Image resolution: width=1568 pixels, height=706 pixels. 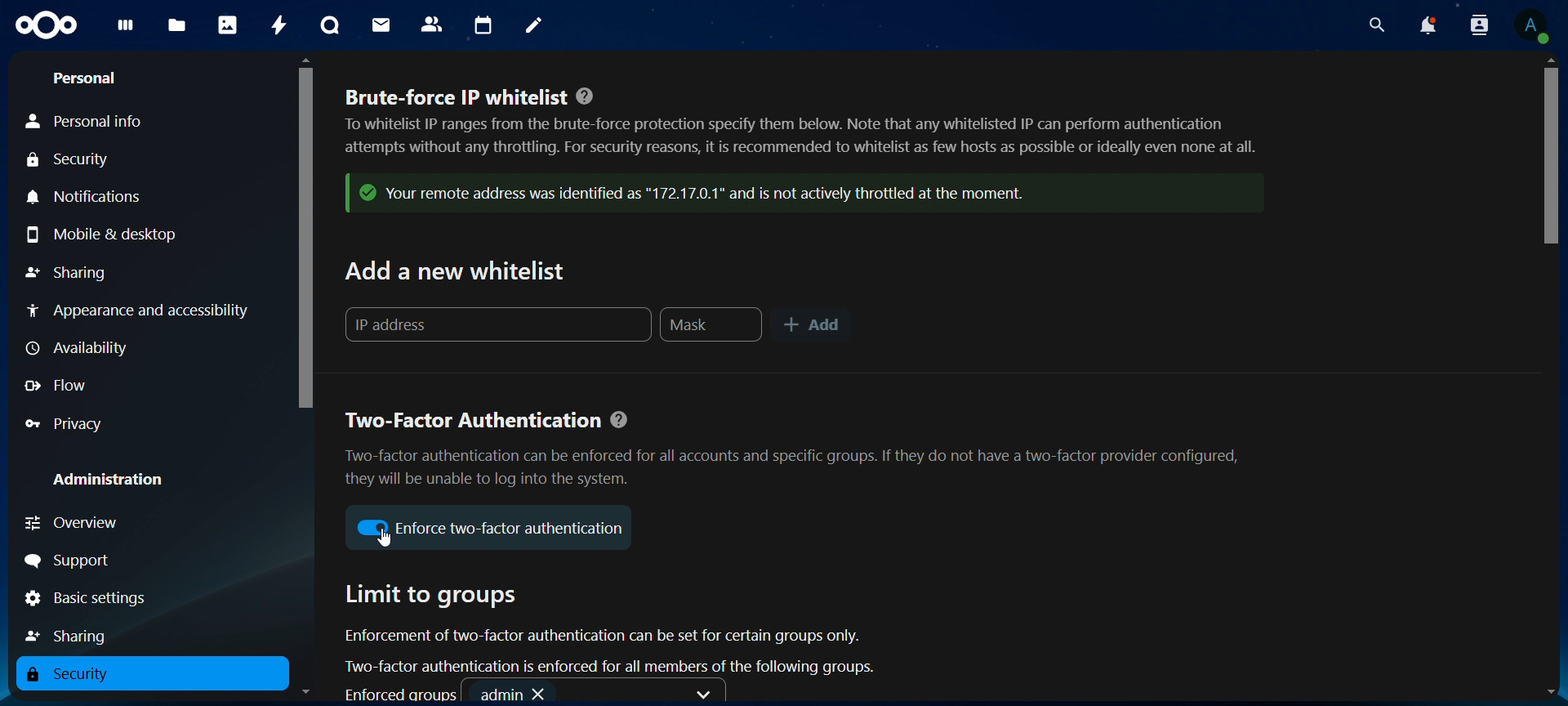 I want to click on photos, so click(x=229, y=27).